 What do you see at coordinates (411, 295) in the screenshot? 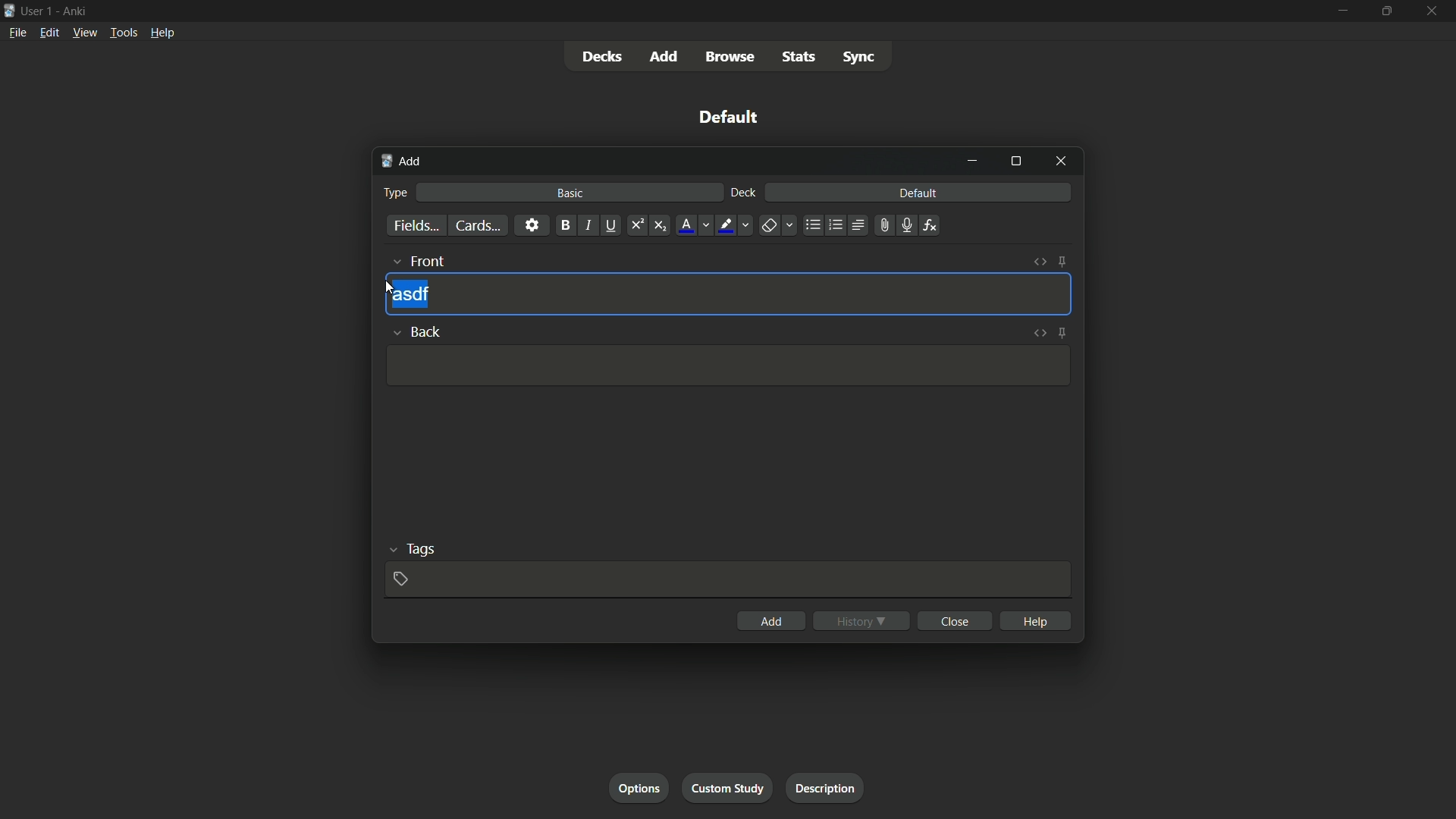
I see `asdf` at bounding box center [411, 295].